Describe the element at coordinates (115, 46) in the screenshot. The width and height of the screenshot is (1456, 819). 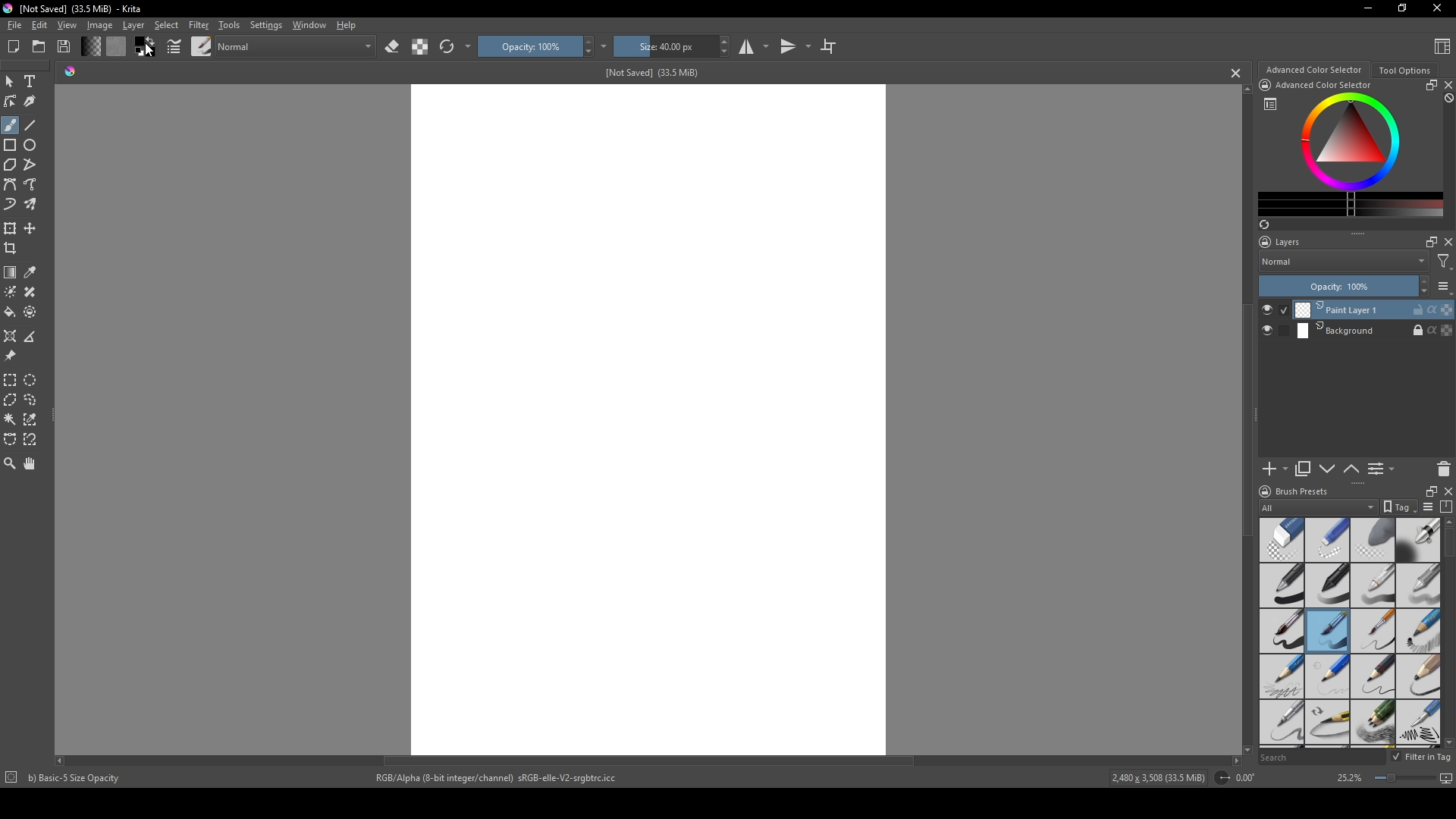
I see `color` at that location.